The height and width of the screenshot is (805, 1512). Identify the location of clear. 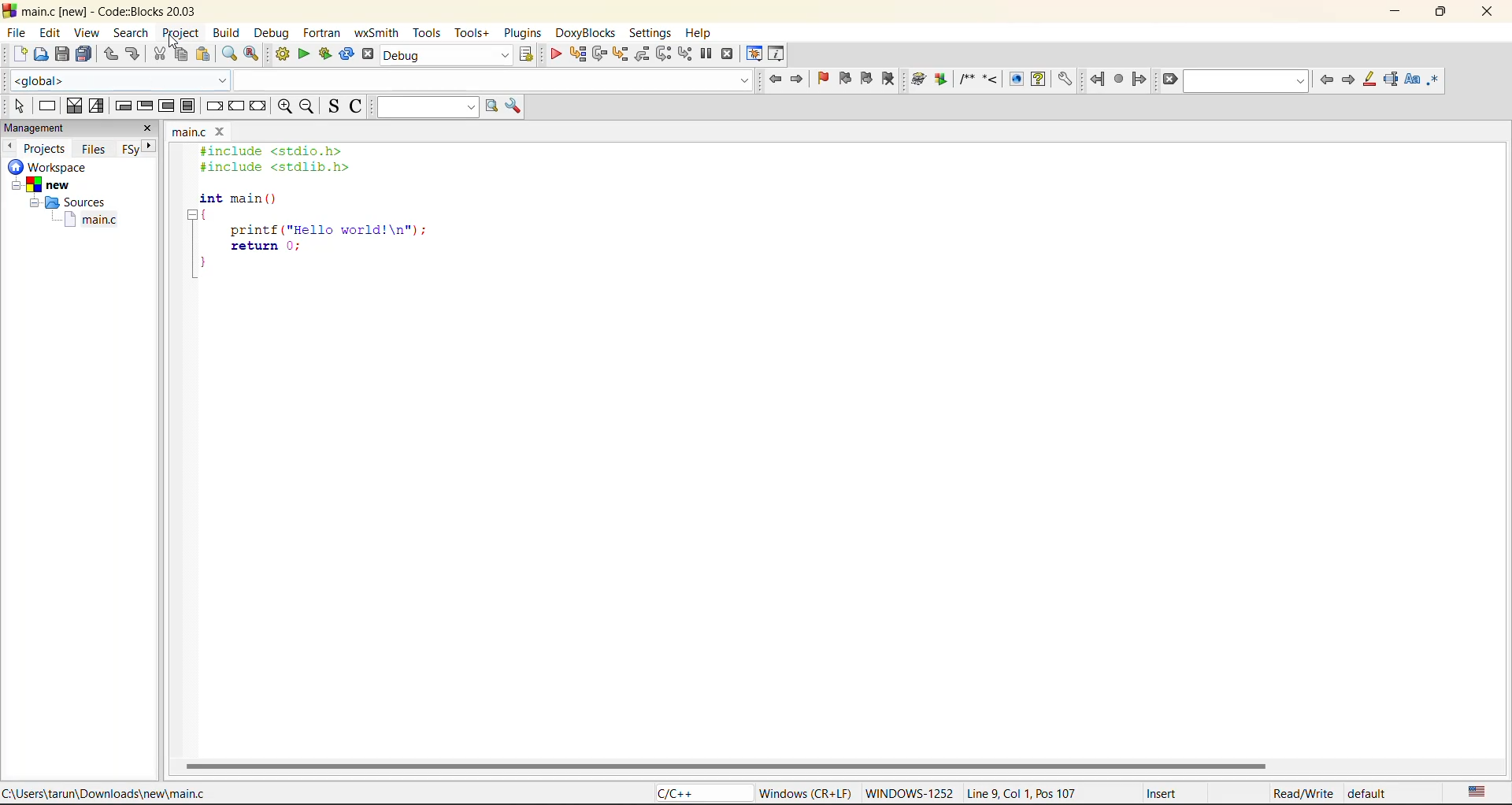
(1172, 81).